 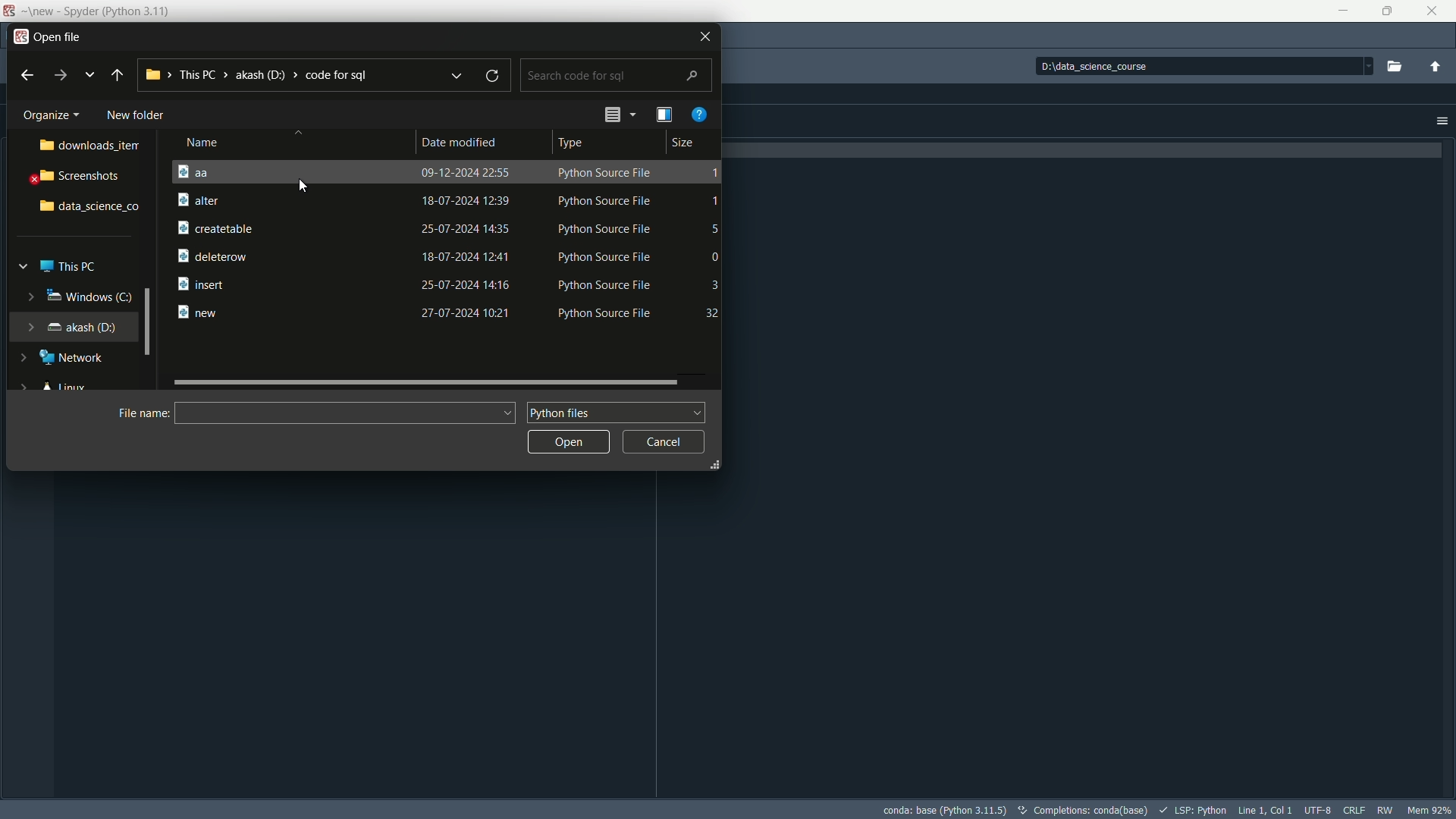 What do you see at coordinates (1266, 809) in the screenshot?
I see `cursor position` at bounding box center [1266, 809].